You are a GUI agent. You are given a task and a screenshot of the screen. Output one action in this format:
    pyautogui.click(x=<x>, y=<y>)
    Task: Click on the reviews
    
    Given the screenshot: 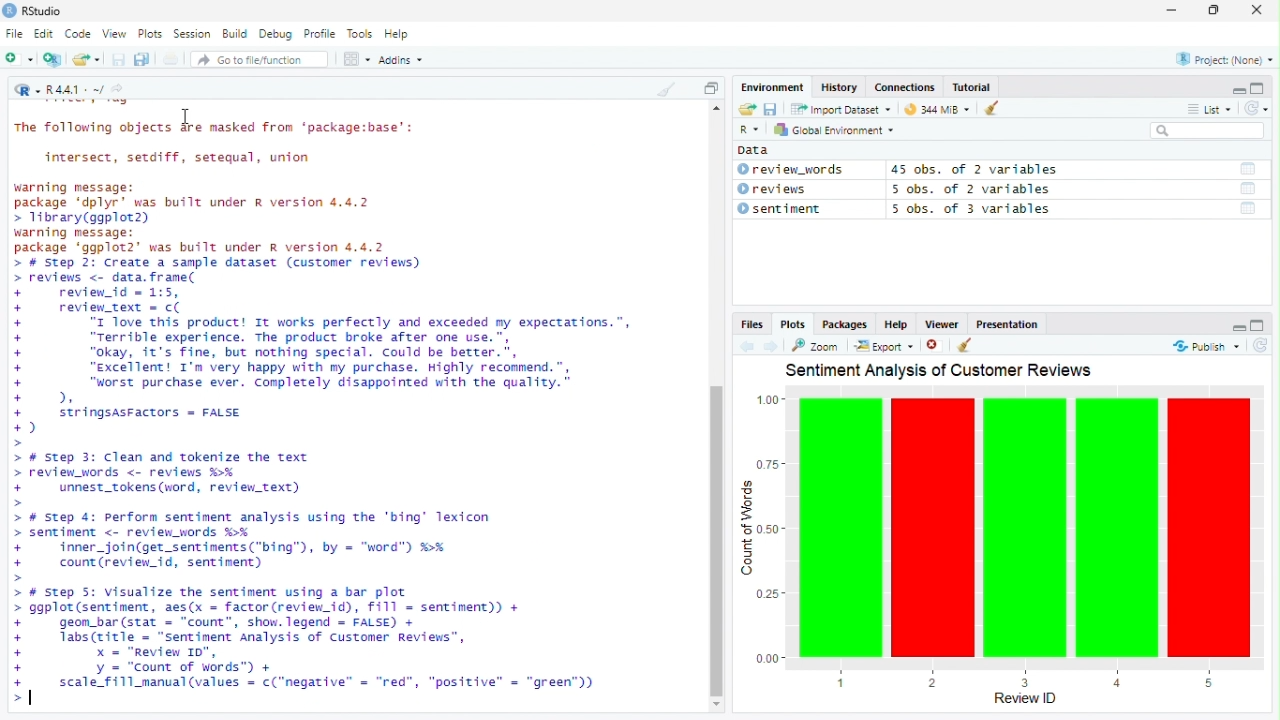 What is the action you would take?
    pyautogui.click(x=781, y=189)
    